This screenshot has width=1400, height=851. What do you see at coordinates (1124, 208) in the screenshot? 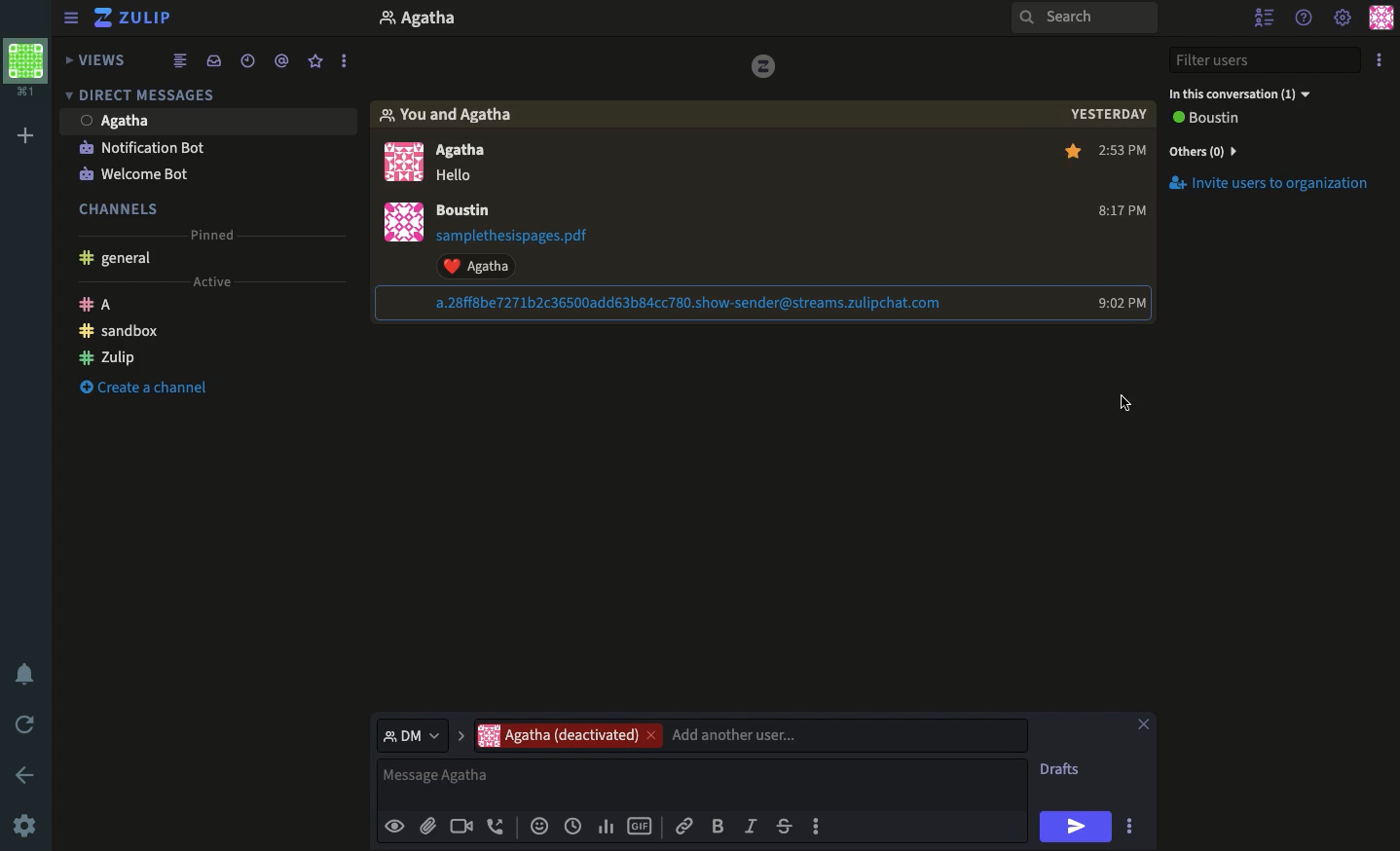
I see `Time` at bounding box center [1124, 208].